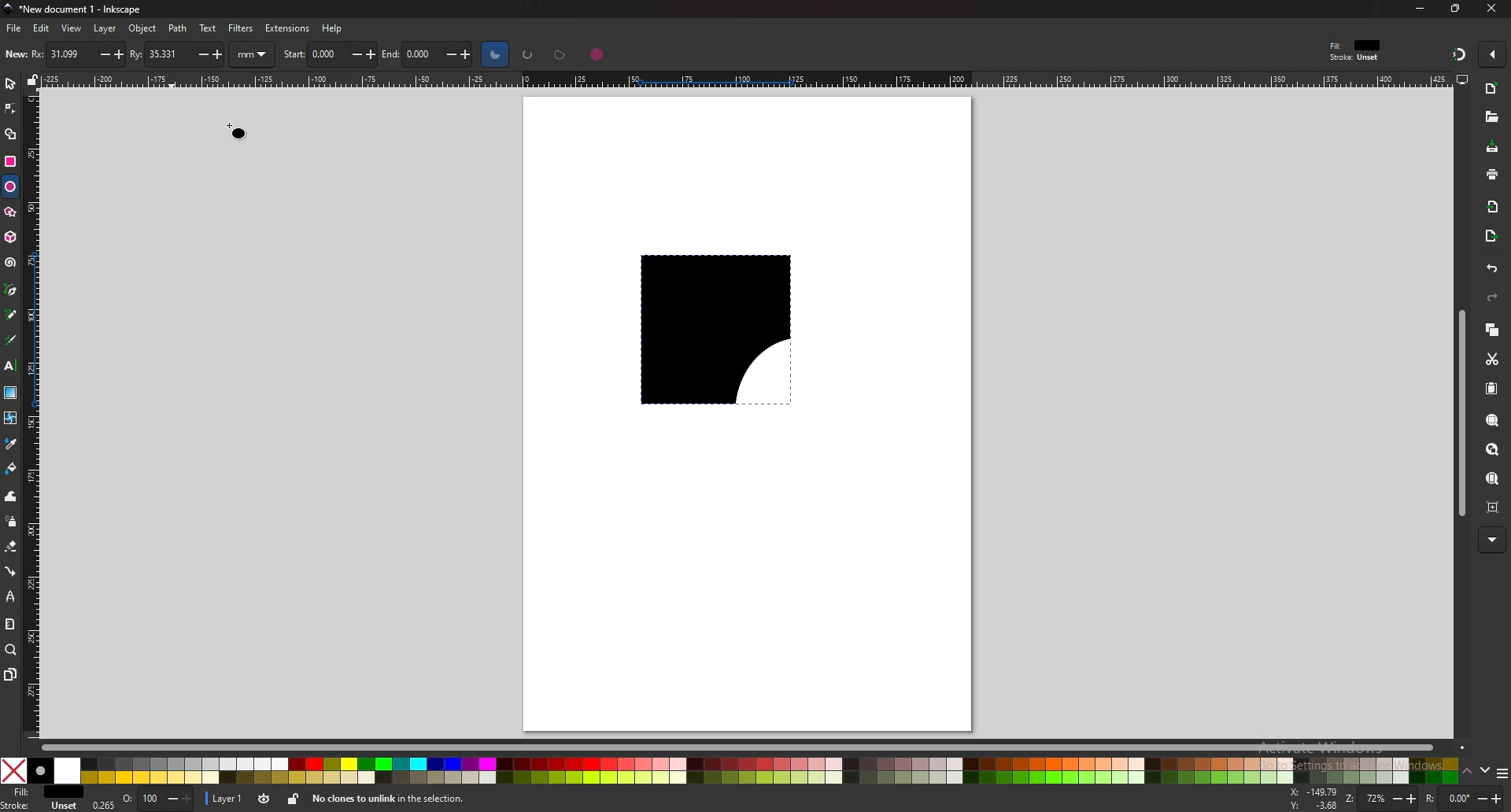 This screenshot has height=812, width=1511. I want to click on end, so click(427, 55).